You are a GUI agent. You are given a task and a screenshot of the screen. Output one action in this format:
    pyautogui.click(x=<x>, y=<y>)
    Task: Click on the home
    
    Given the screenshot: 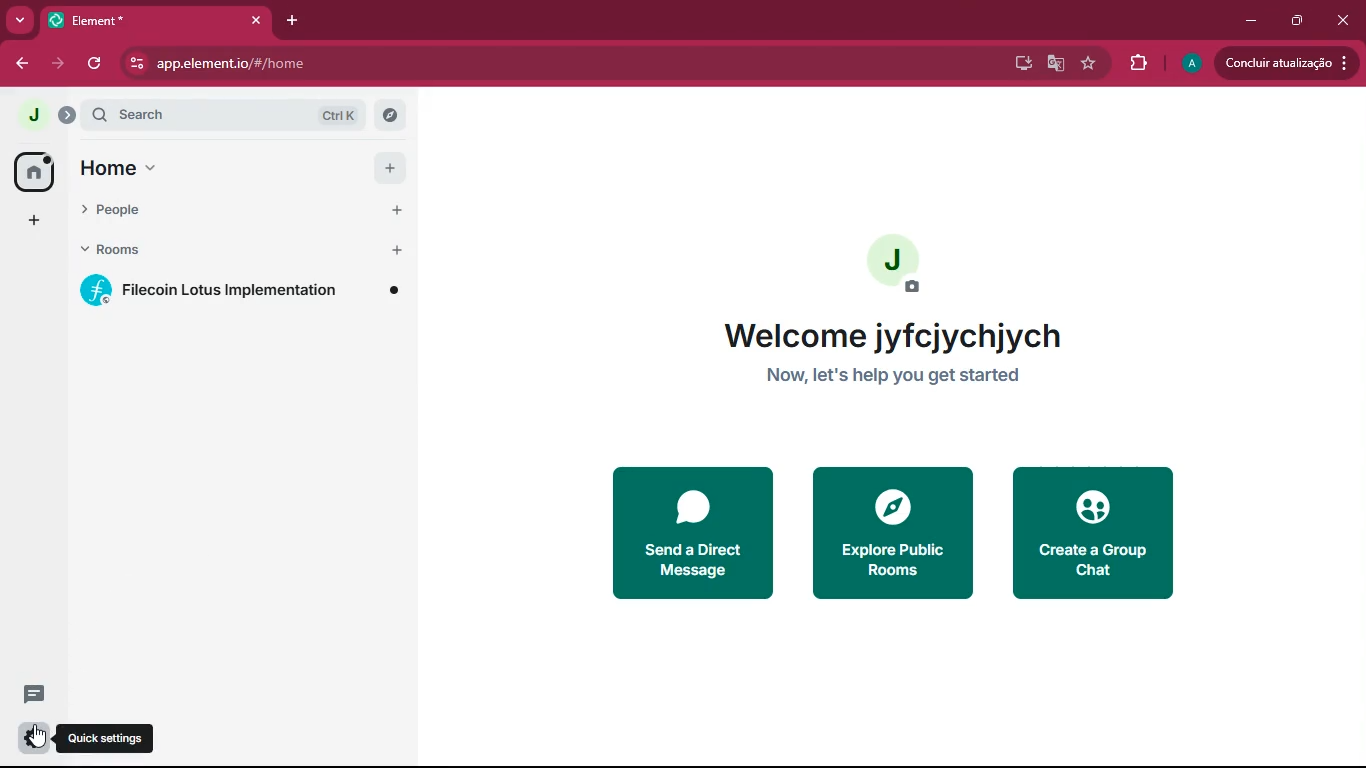 What is the action you would take?
    pyautogui.click(x=244, y=167)
    